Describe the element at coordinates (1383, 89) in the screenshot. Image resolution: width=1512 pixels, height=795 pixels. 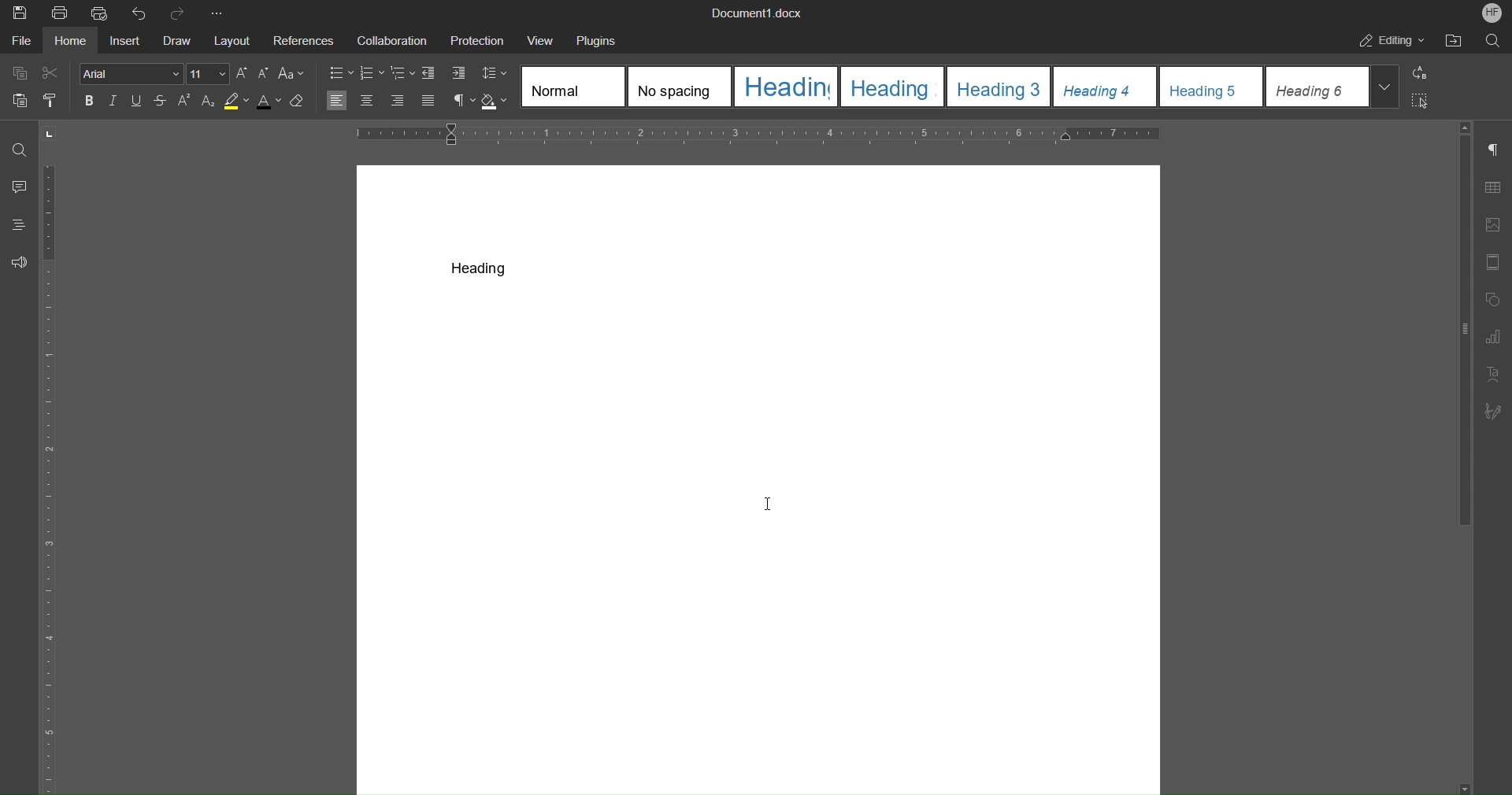
I see `More headings` at that location.